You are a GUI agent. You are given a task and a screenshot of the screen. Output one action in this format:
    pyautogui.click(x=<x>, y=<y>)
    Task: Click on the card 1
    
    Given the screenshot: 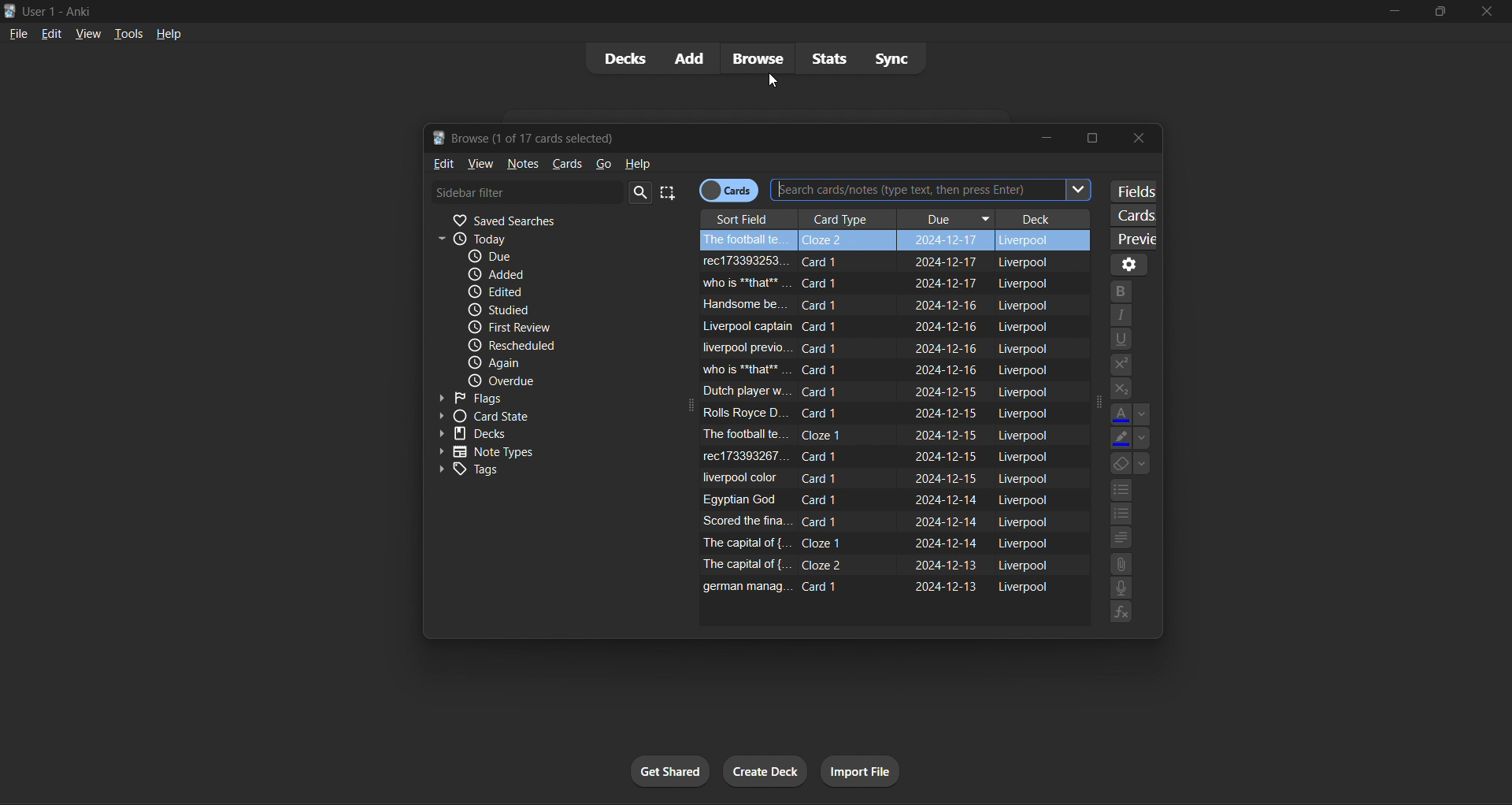 What is the action you would take?
    pyautogui.click(x=828, y=435)
    